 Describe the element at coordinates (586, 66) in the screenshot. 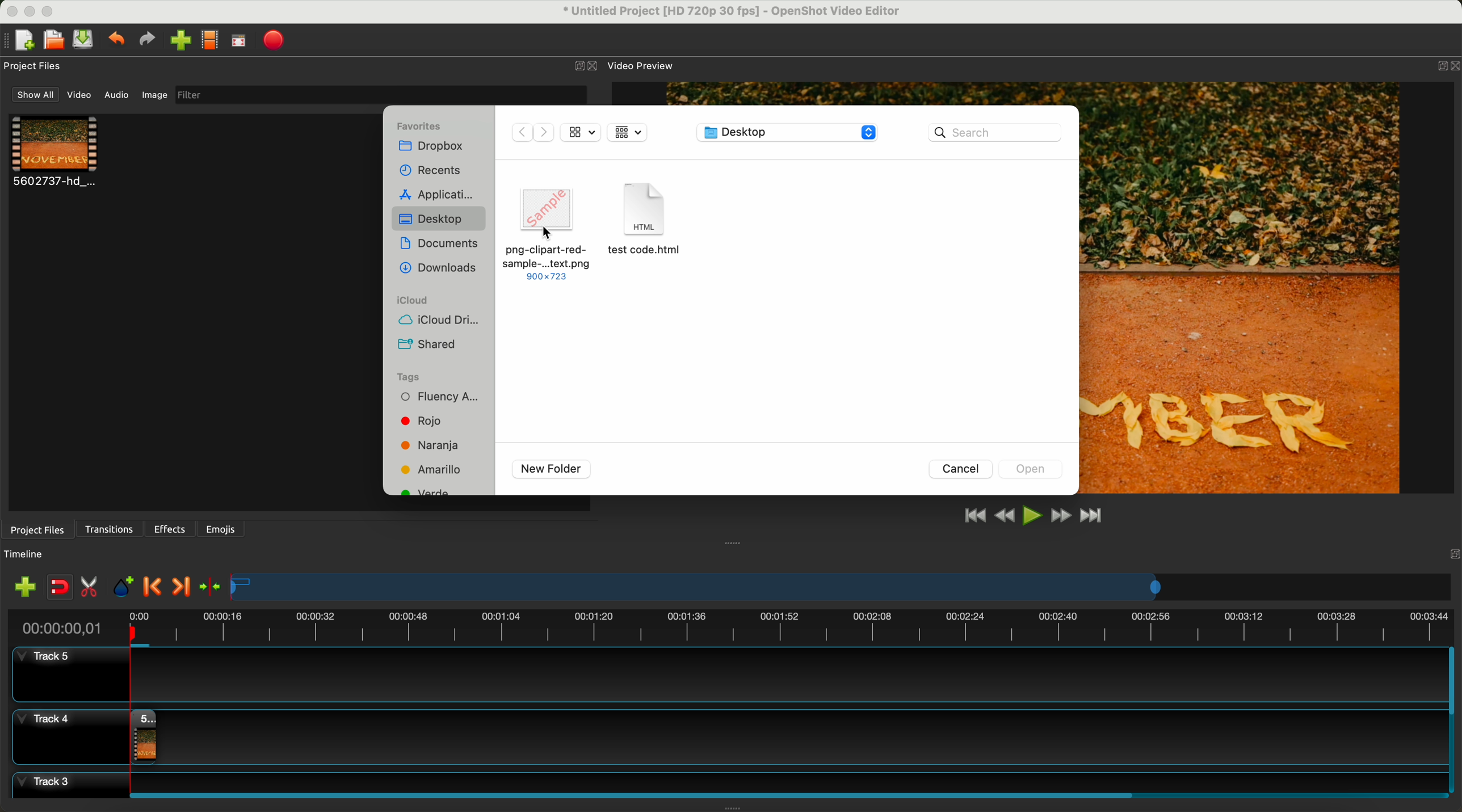

I see `close` at that location.